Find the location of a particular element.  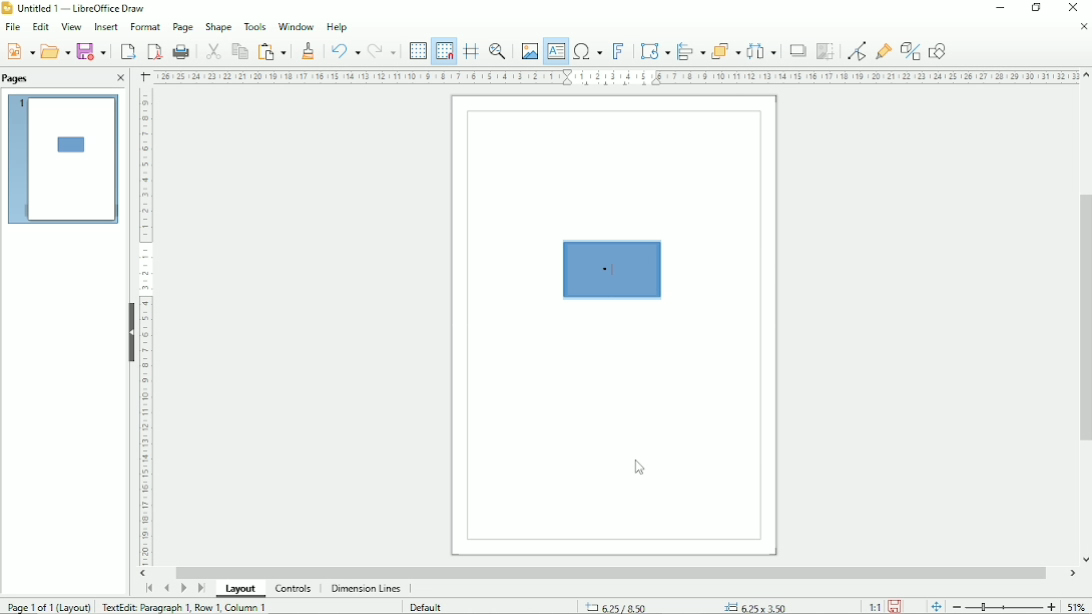

Hide is located at coordinates (131, 332).